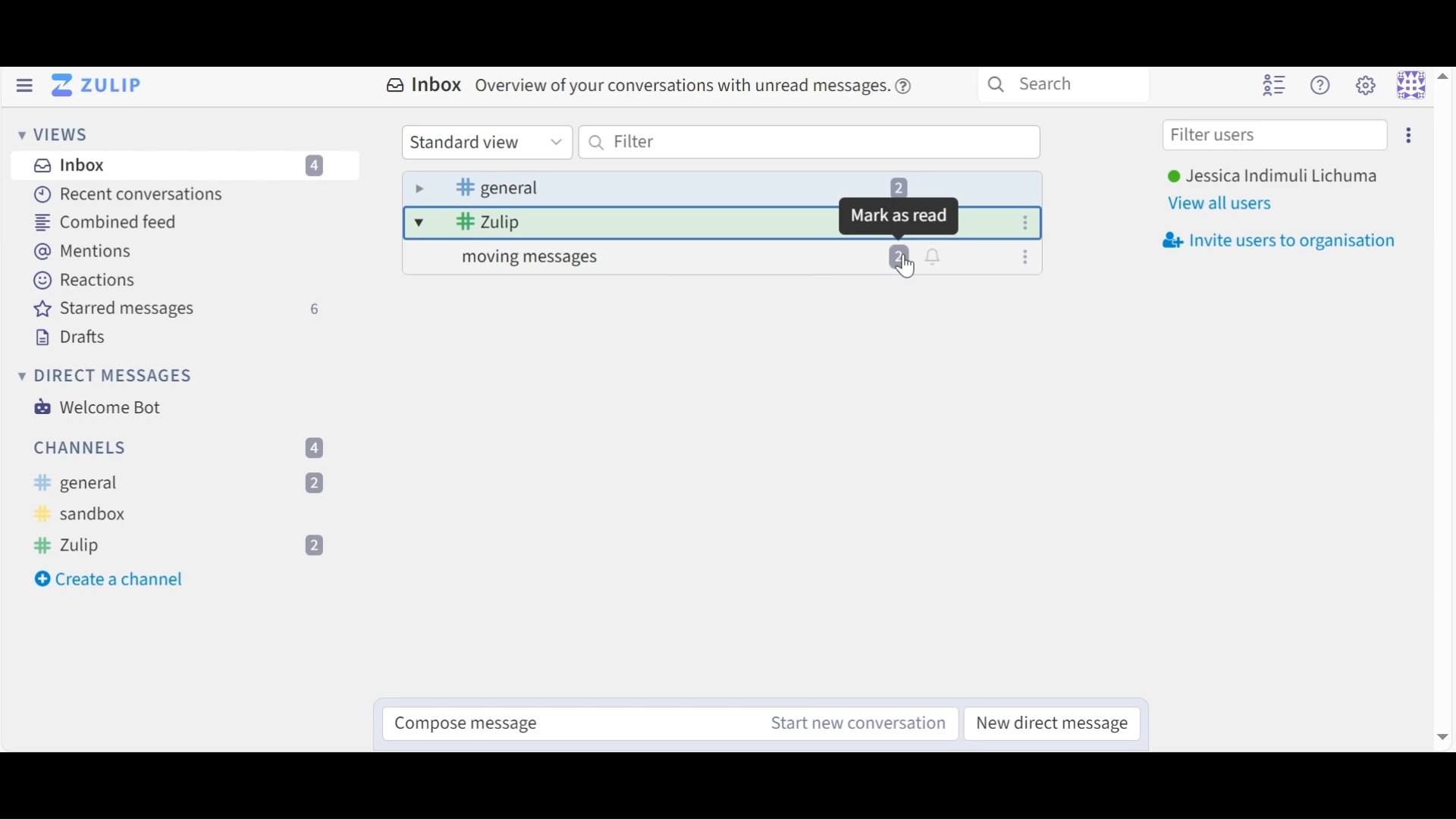  Describe the element at coordinates (620, 222) in the screenshot. I see `message` at that location.